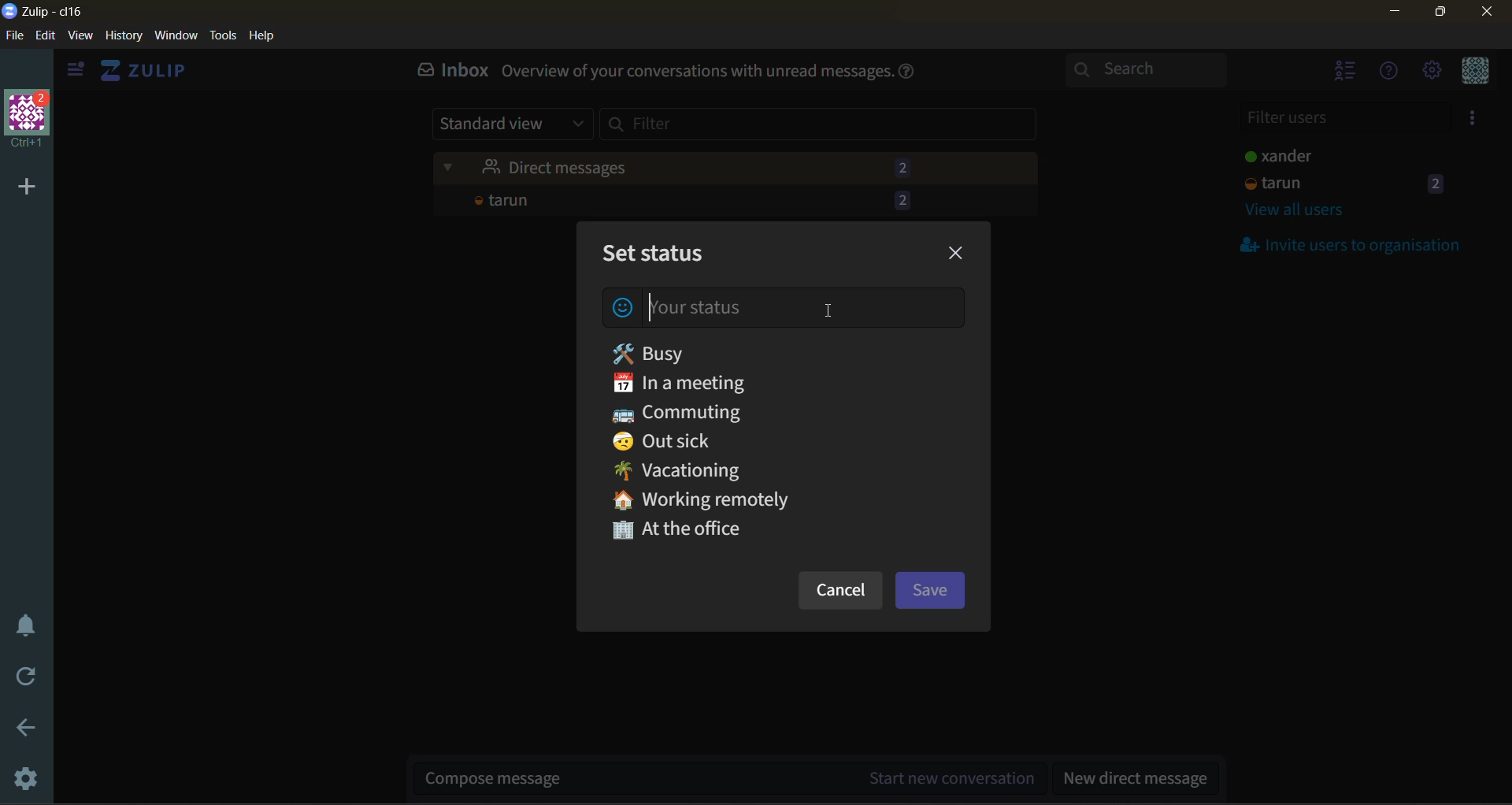  Describe the element at coordinates (73, 68) in the screenshot. I see `hide sidebar ` at that location.